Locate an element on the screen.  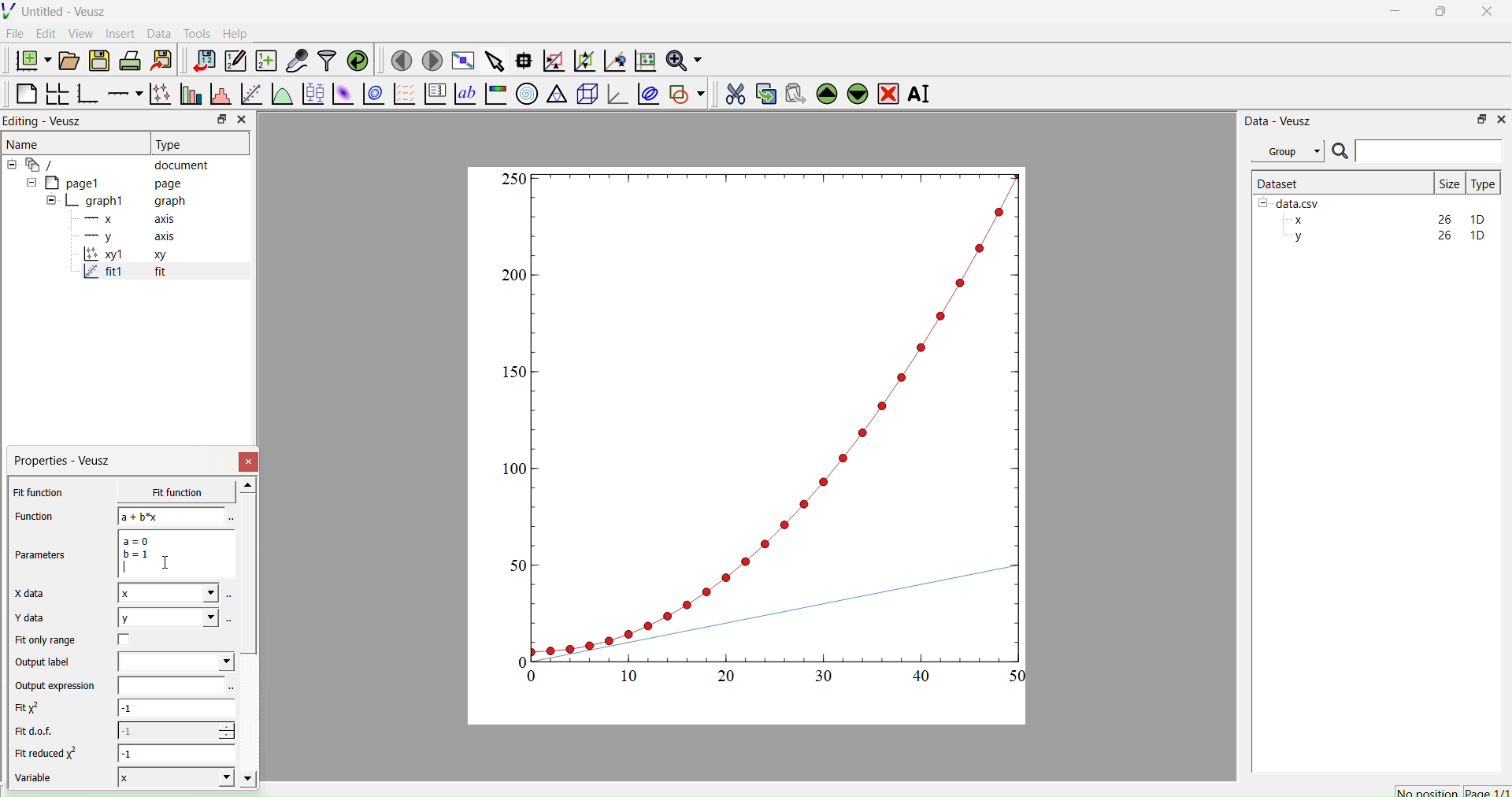
Edit or enter new dataset is located at coordinates (233, 61).